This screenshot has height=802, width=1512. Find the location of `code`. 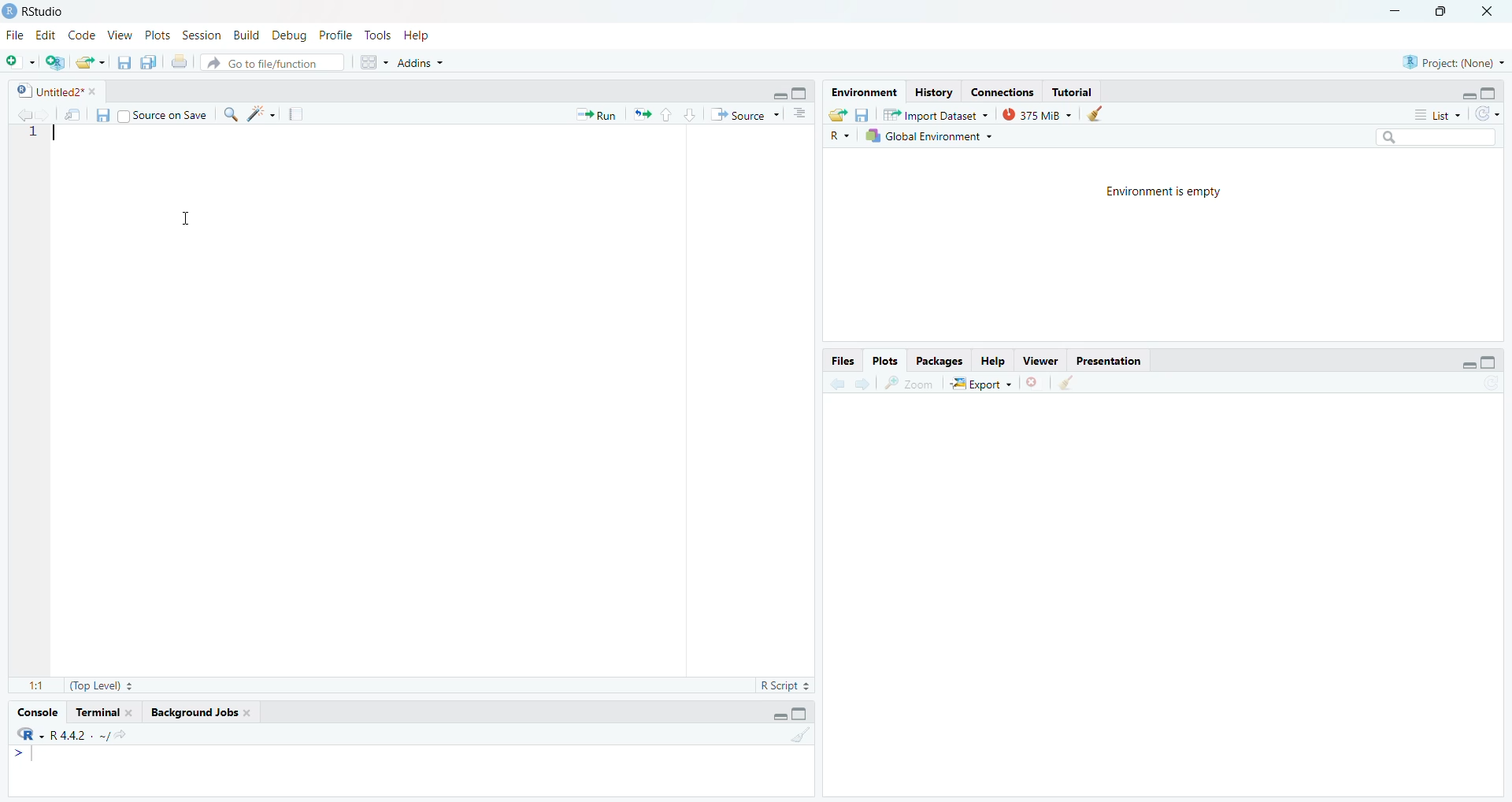

code is located at coordinates (83, 36).